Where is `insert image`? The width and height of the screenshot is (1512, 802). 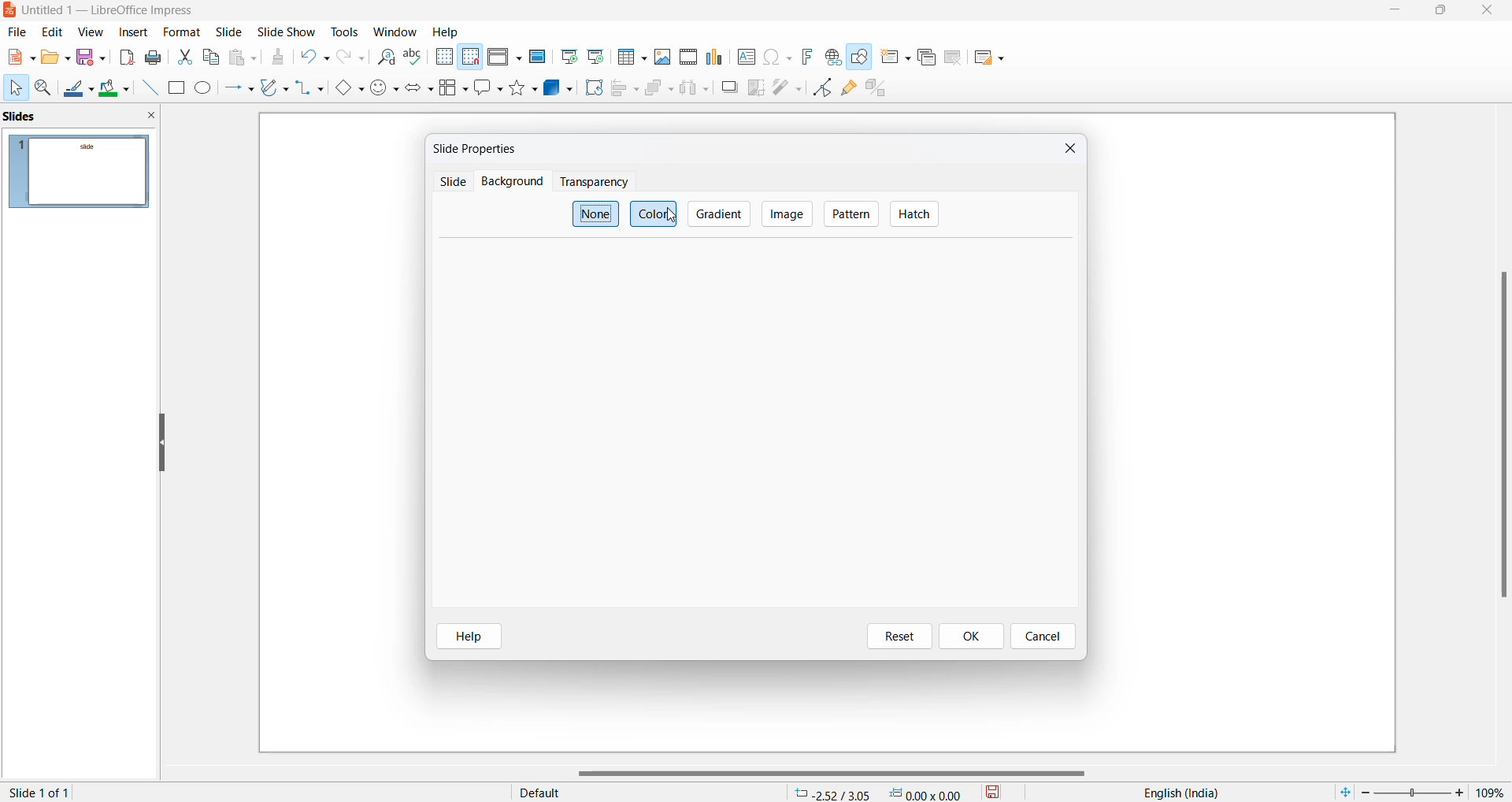
insert image is located at coordinates (663, 56).